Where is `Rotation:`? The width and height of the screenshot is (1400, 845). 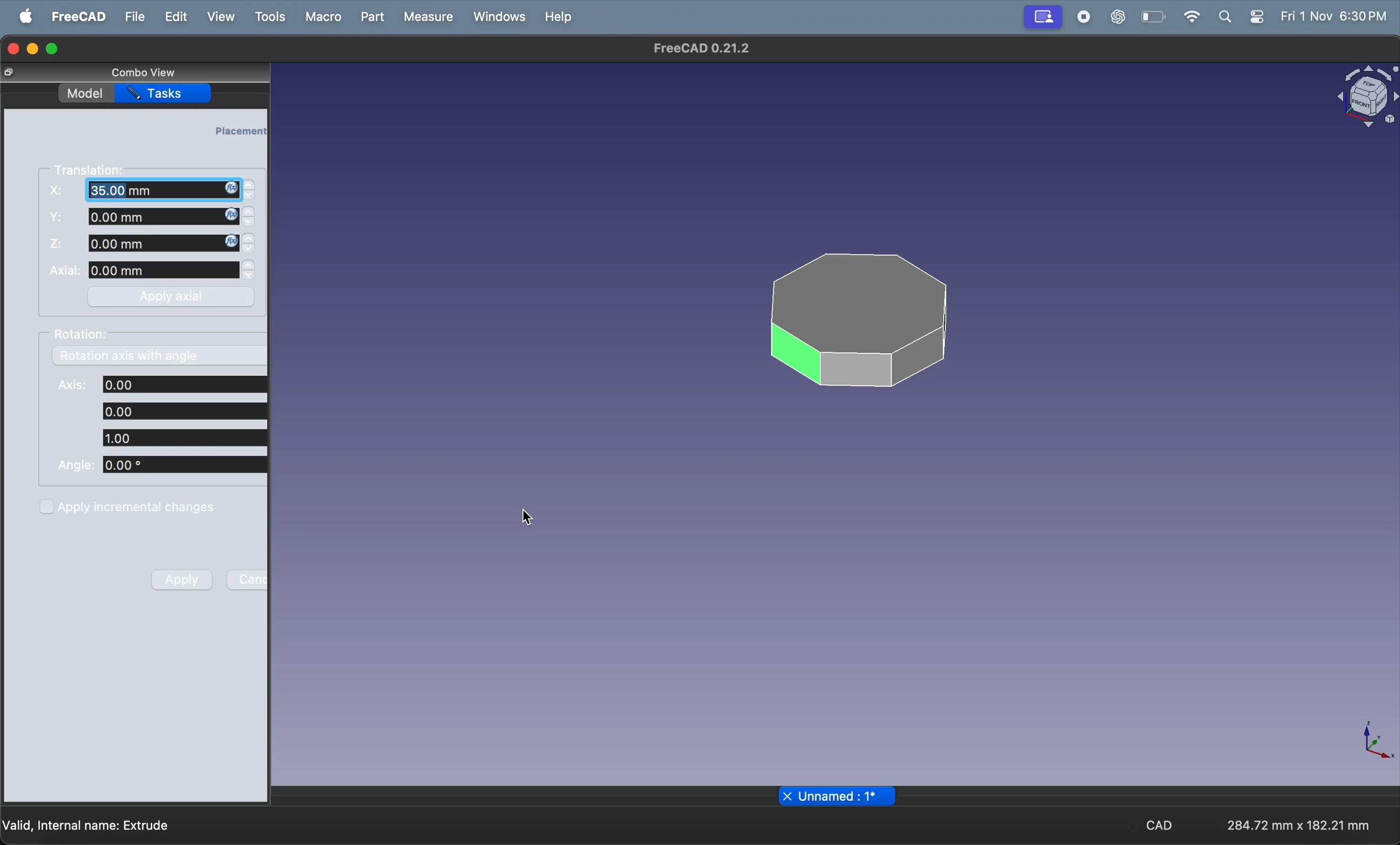 Rotation: is located at coordinates (85, 334).